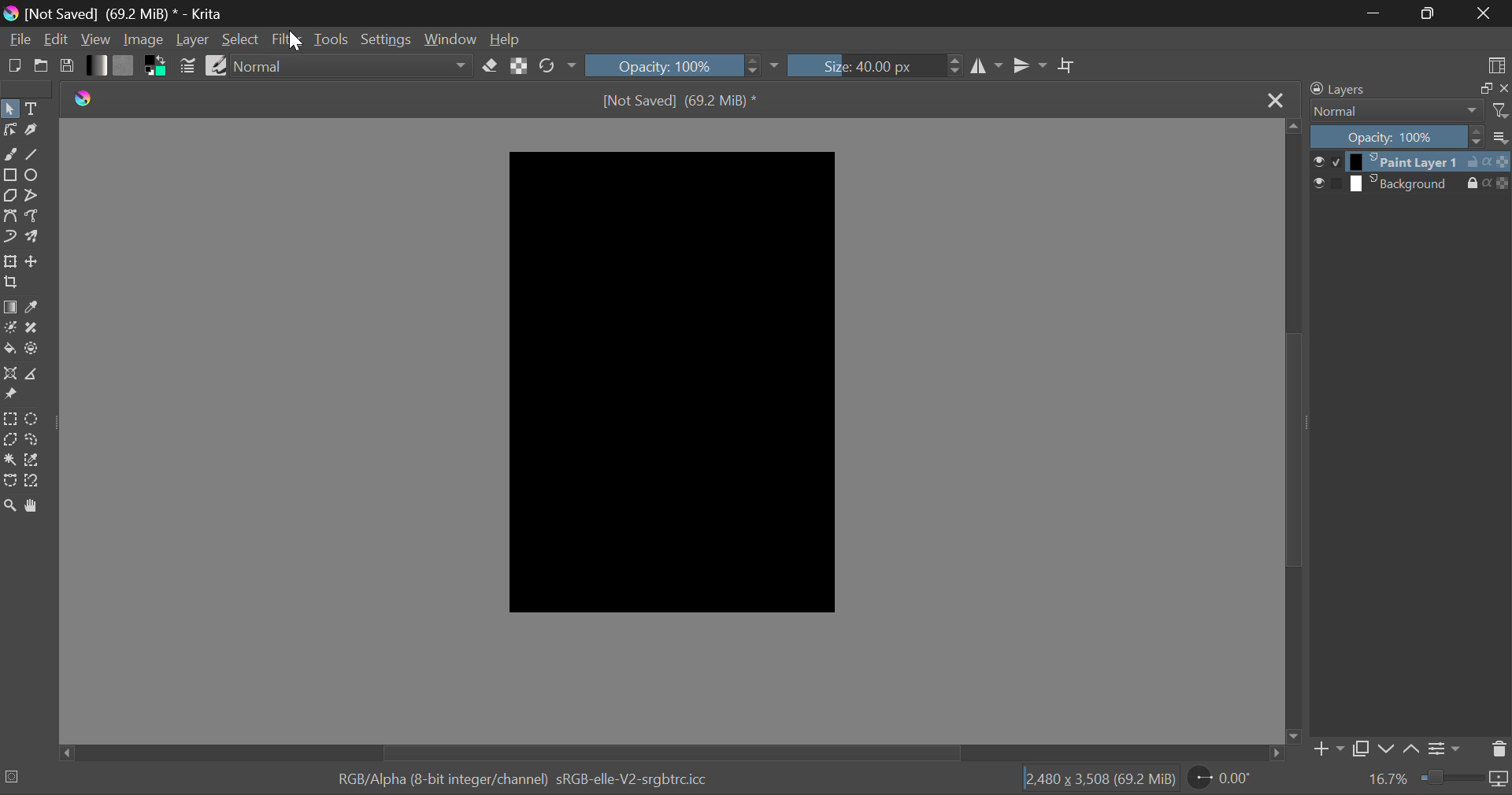  Describe the element at coordinates (95, 65) in the screenshot. I see `Gradients` at that location.